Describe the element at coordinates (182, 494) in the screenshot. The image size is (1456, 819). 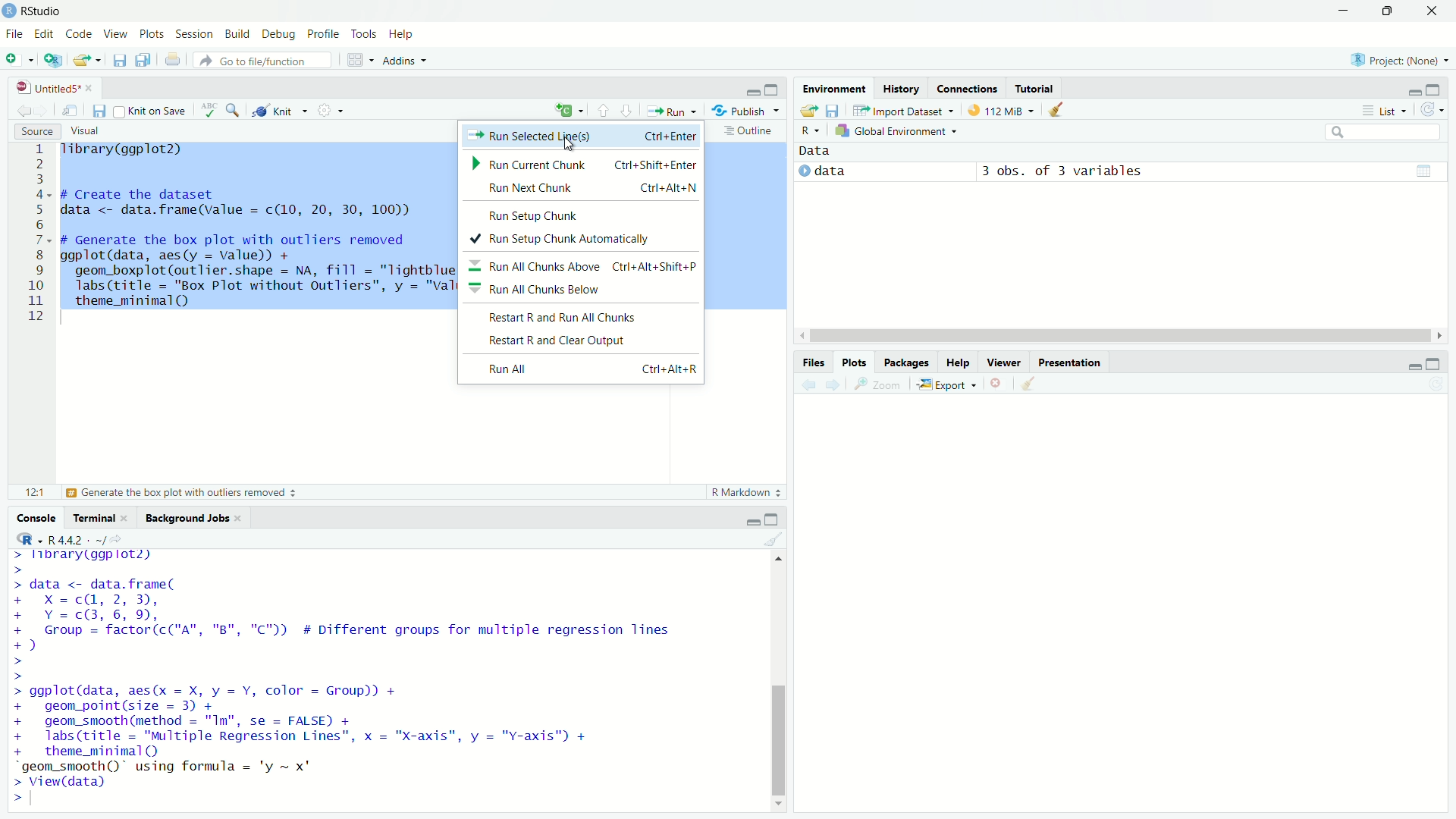
I see `| Generate the box plot with outliers removed +` at that location.